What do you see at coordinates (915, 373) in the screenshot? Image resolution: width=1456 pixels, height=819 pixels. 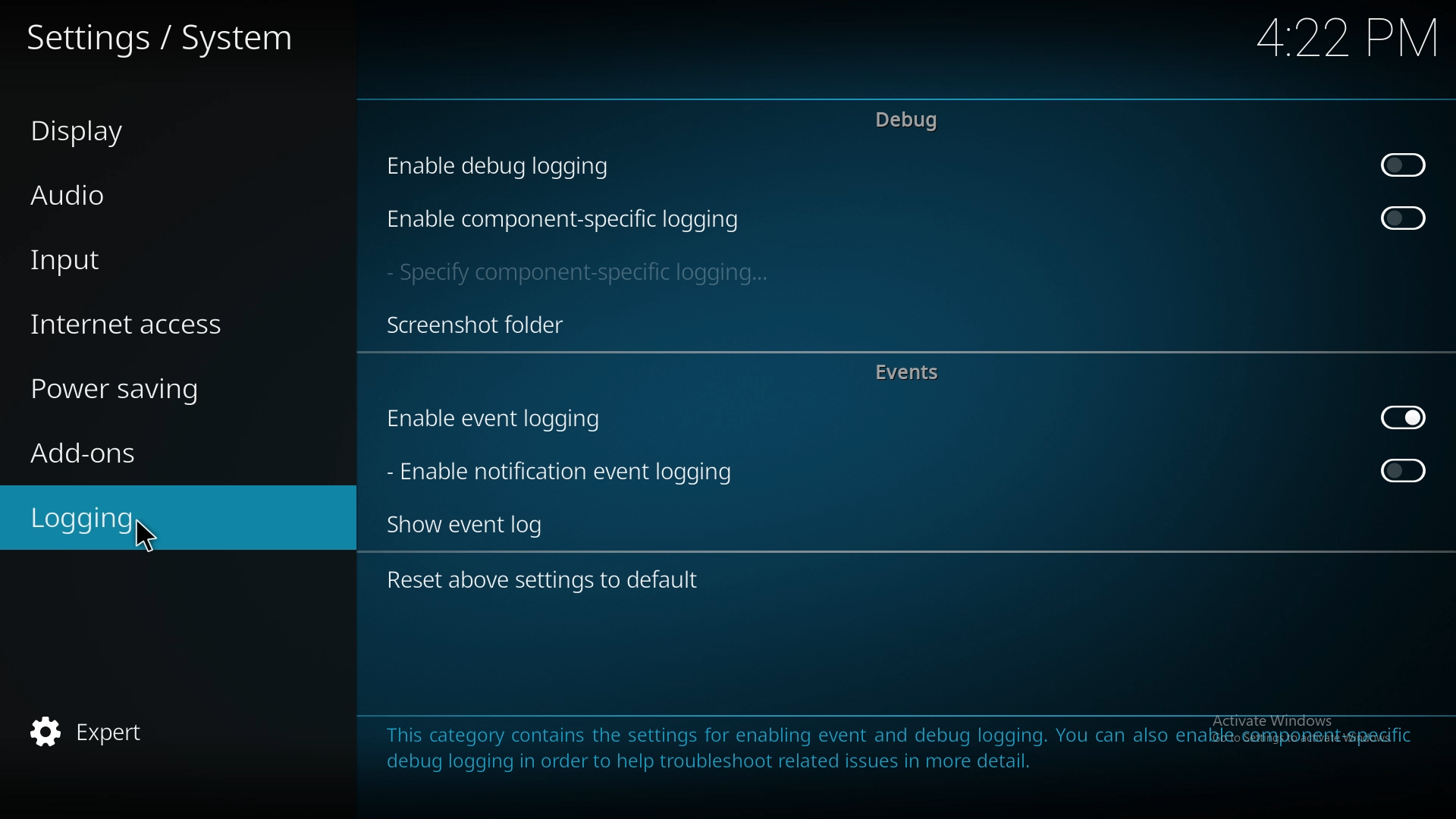 I see `events` at bounding box center [915, 373].